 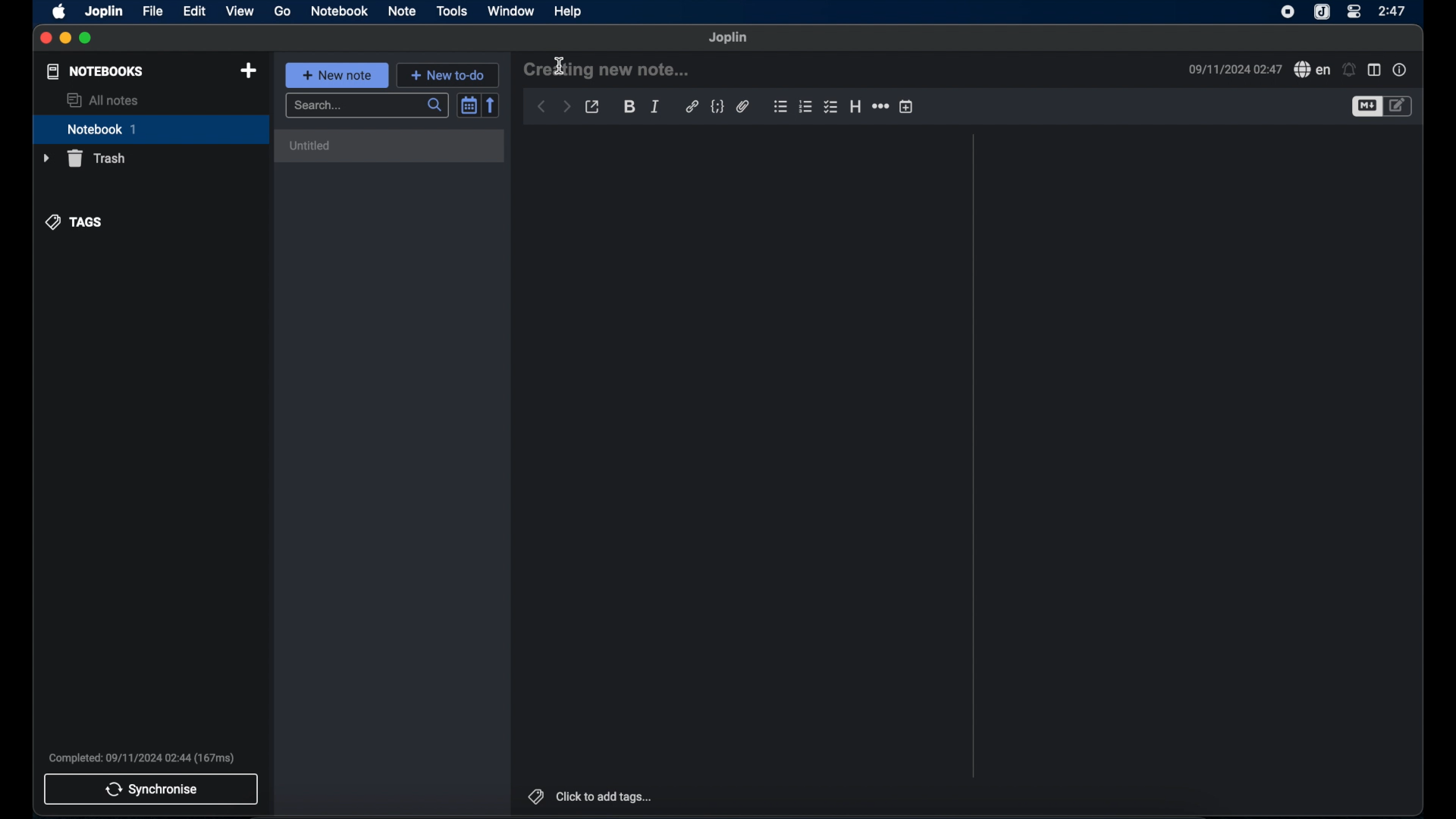 What do you see at coordinates (492, 105) in the screenshot?
I see `reverse  sort order` at bounding box center [492, 105].